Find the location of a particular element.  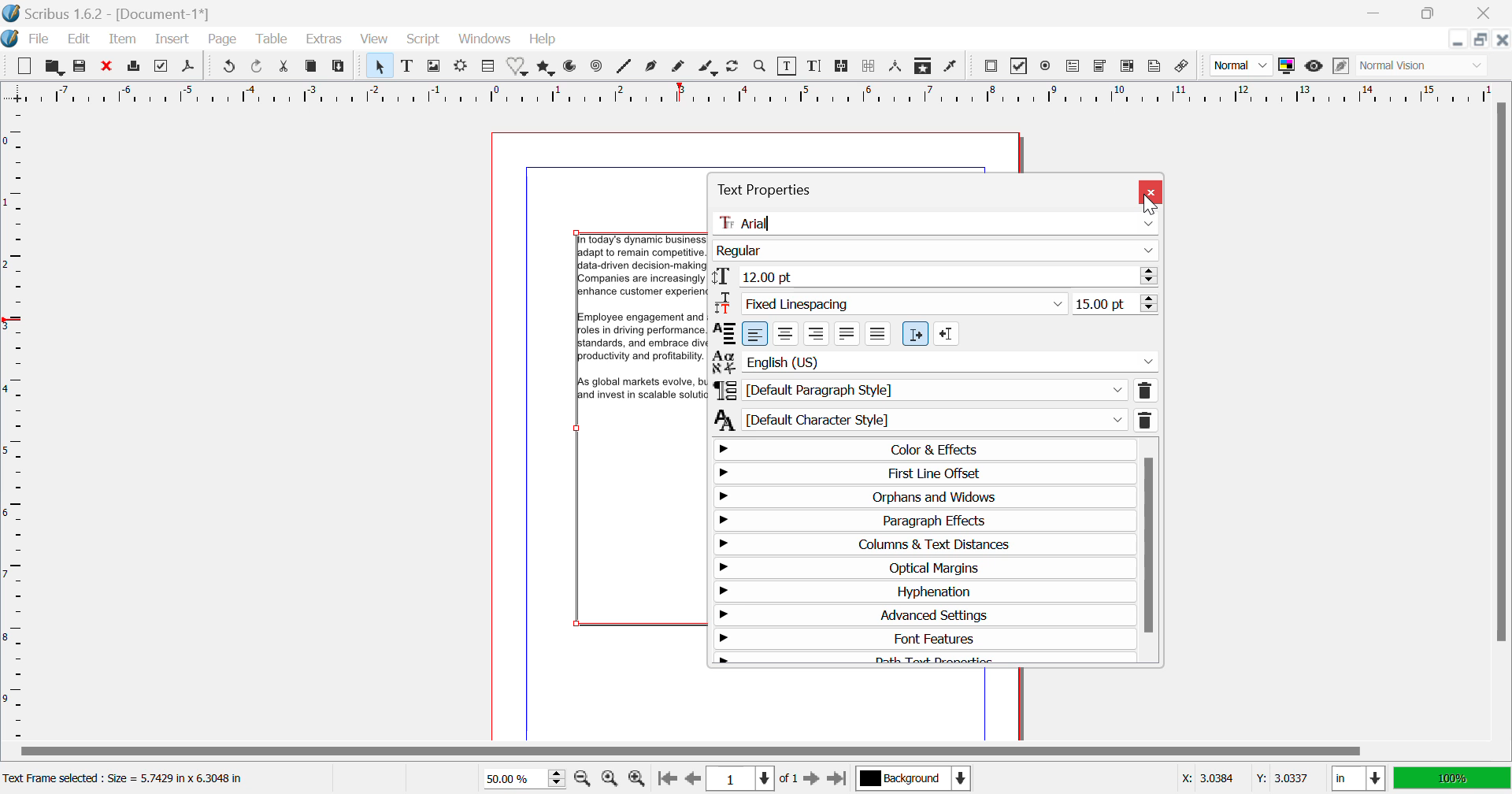

Image preview quality is located at coordinates (1243, 65).